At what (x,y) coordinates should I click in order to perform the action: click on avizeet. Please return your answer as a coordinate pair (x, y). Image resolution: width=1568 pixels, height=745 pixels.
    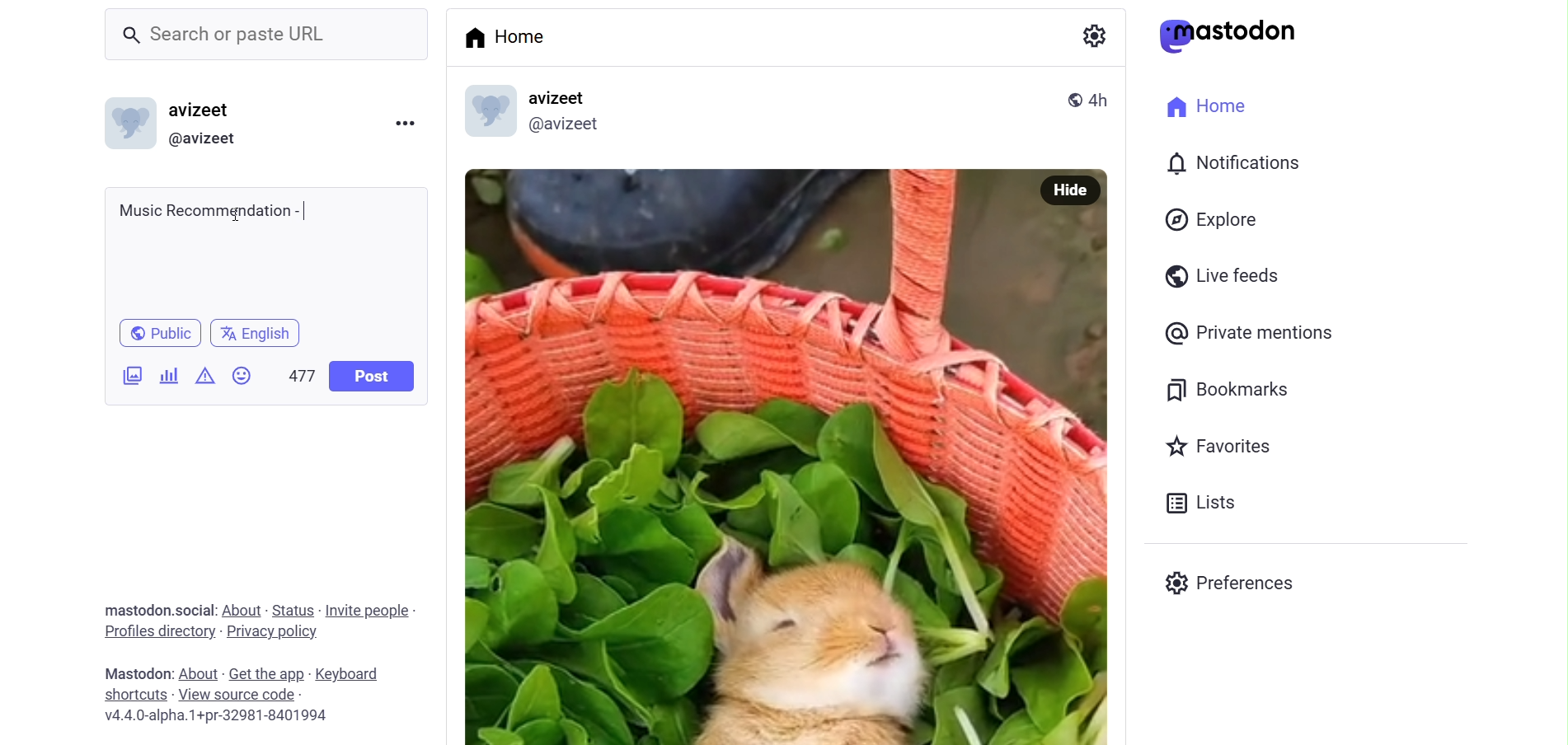
    Looking at the image, I should click on (214, 112).